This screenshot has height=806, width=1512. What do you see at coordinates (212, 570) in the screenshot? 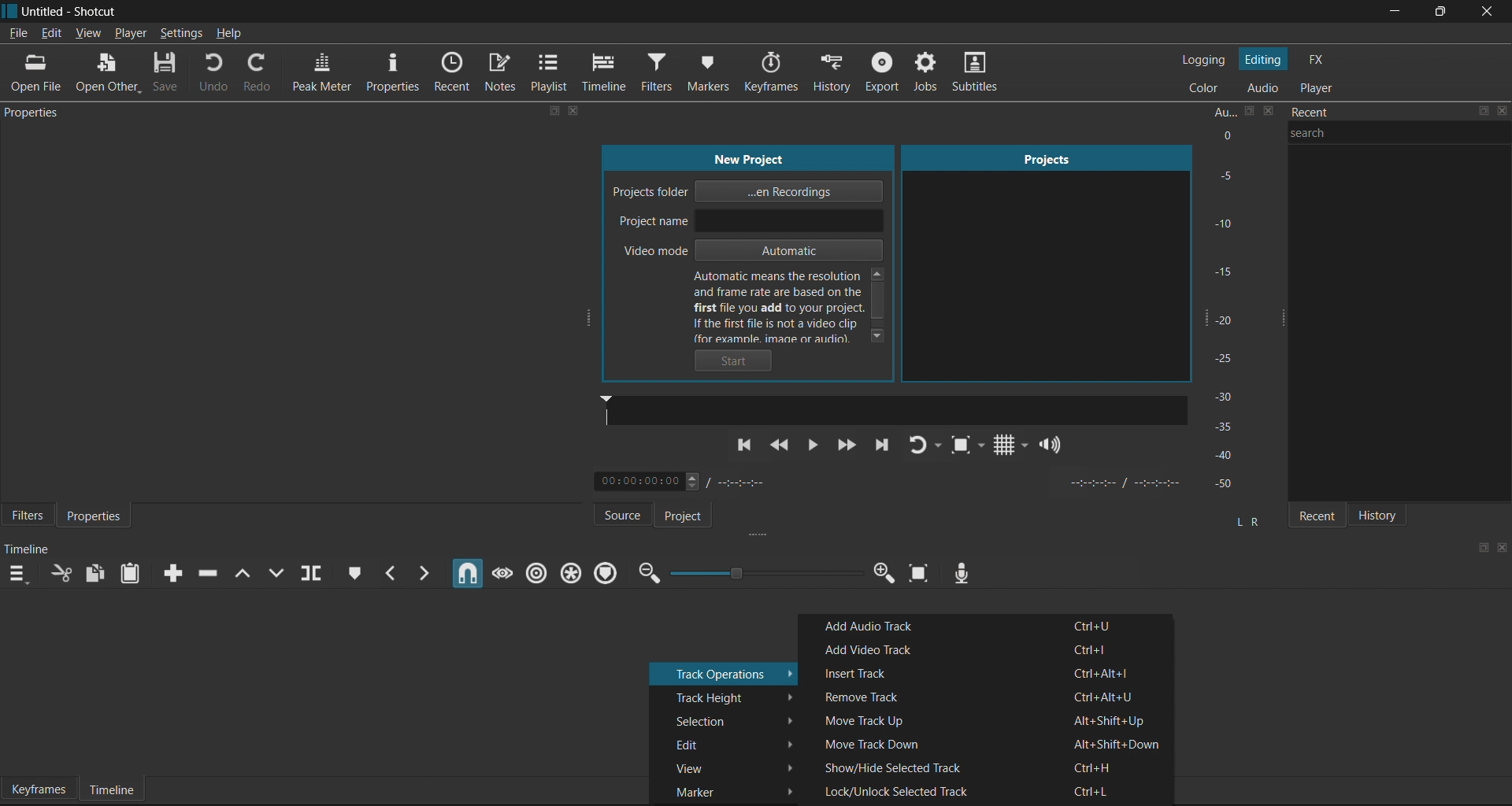
I see `Ripple delete` at bounding box center [212, 570].